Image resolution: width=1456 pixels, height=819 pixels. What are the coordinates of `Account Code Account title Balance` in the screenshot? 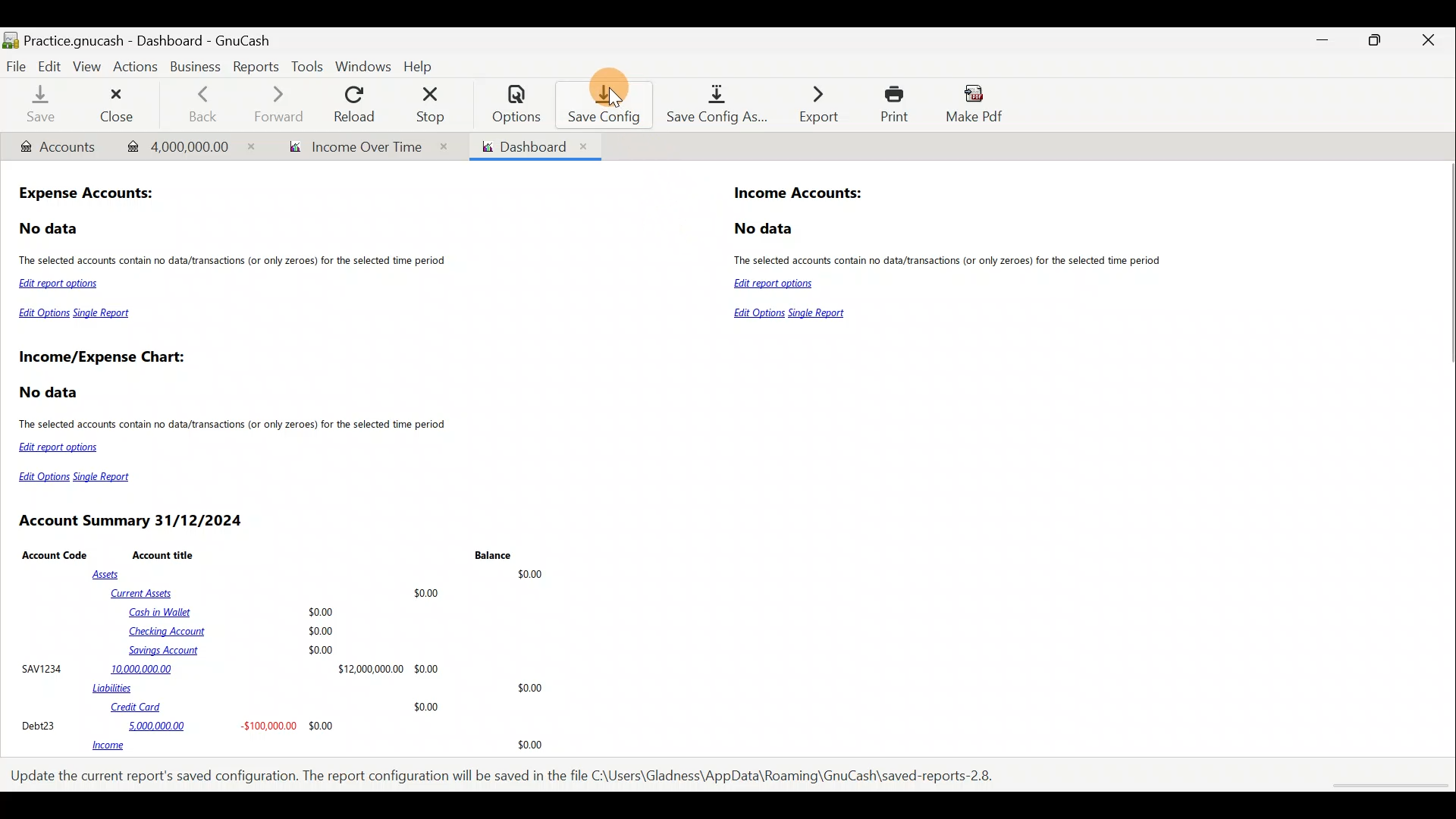 It's located at (270, 554).